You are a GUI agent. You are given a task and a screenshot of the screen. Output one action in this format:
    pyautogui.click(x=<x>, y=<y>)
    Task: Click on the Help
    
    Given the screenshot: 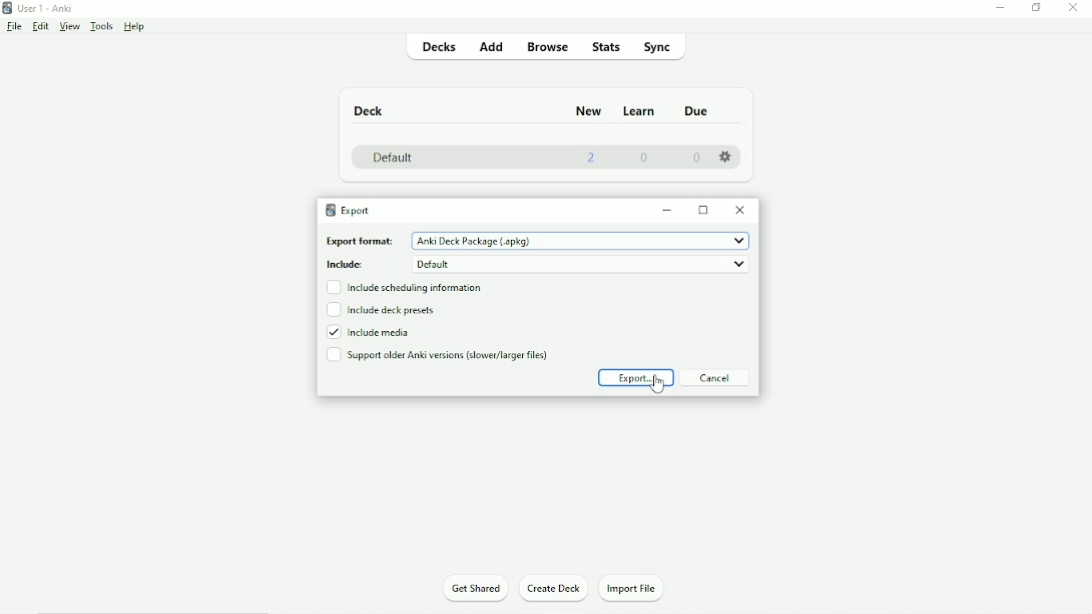 What is the action you would take?
    pyautogui.click(x=137, y=26)
    